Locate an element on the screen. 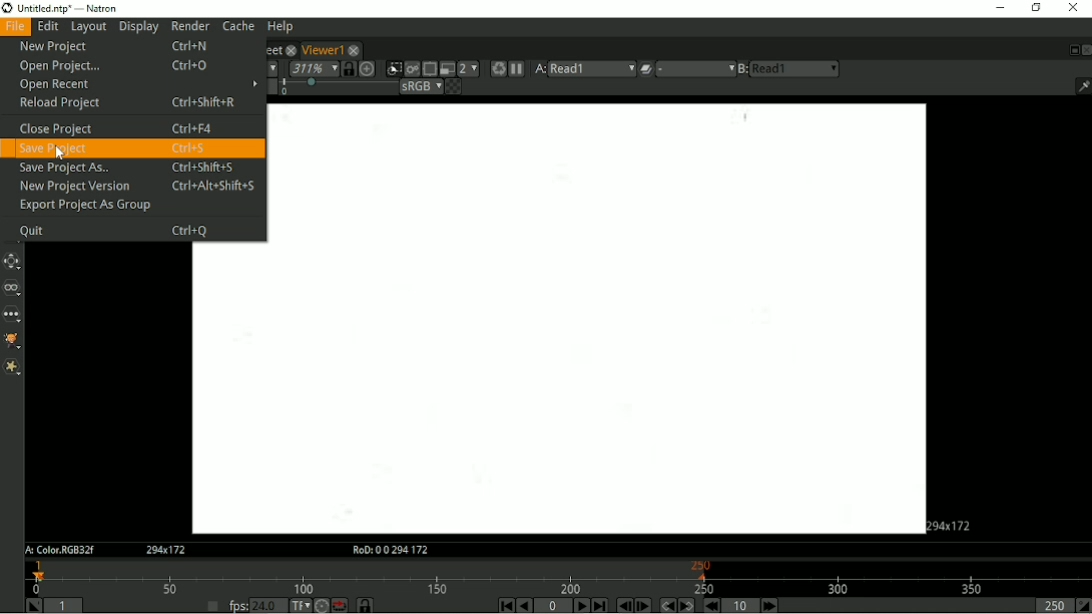 The width and height of the screenshot is (1092, 614). Zoom is located at coordinates (313, 68).